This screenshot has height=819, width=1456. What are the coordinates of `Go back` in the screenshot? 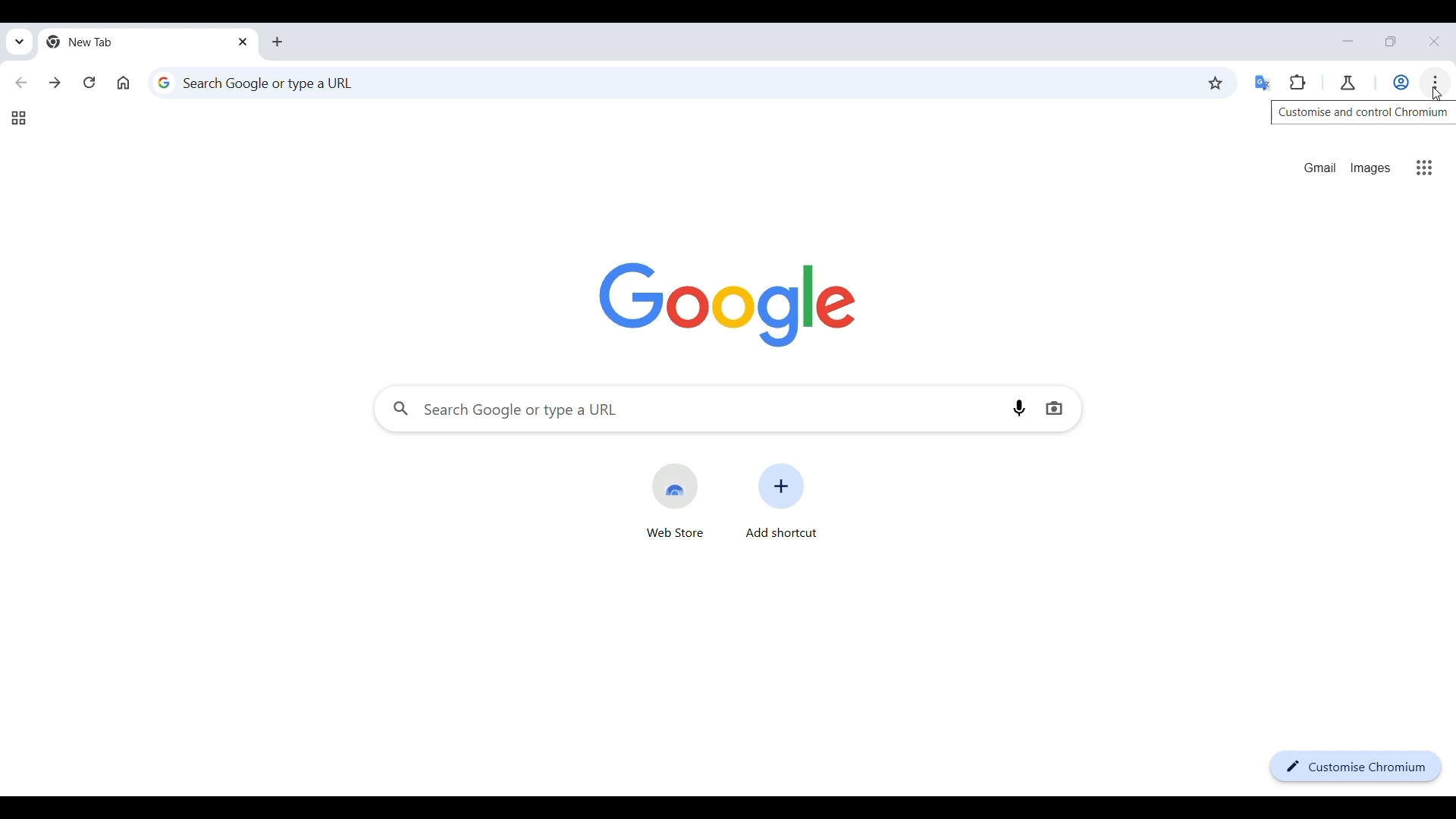 It's located at (20, 83).